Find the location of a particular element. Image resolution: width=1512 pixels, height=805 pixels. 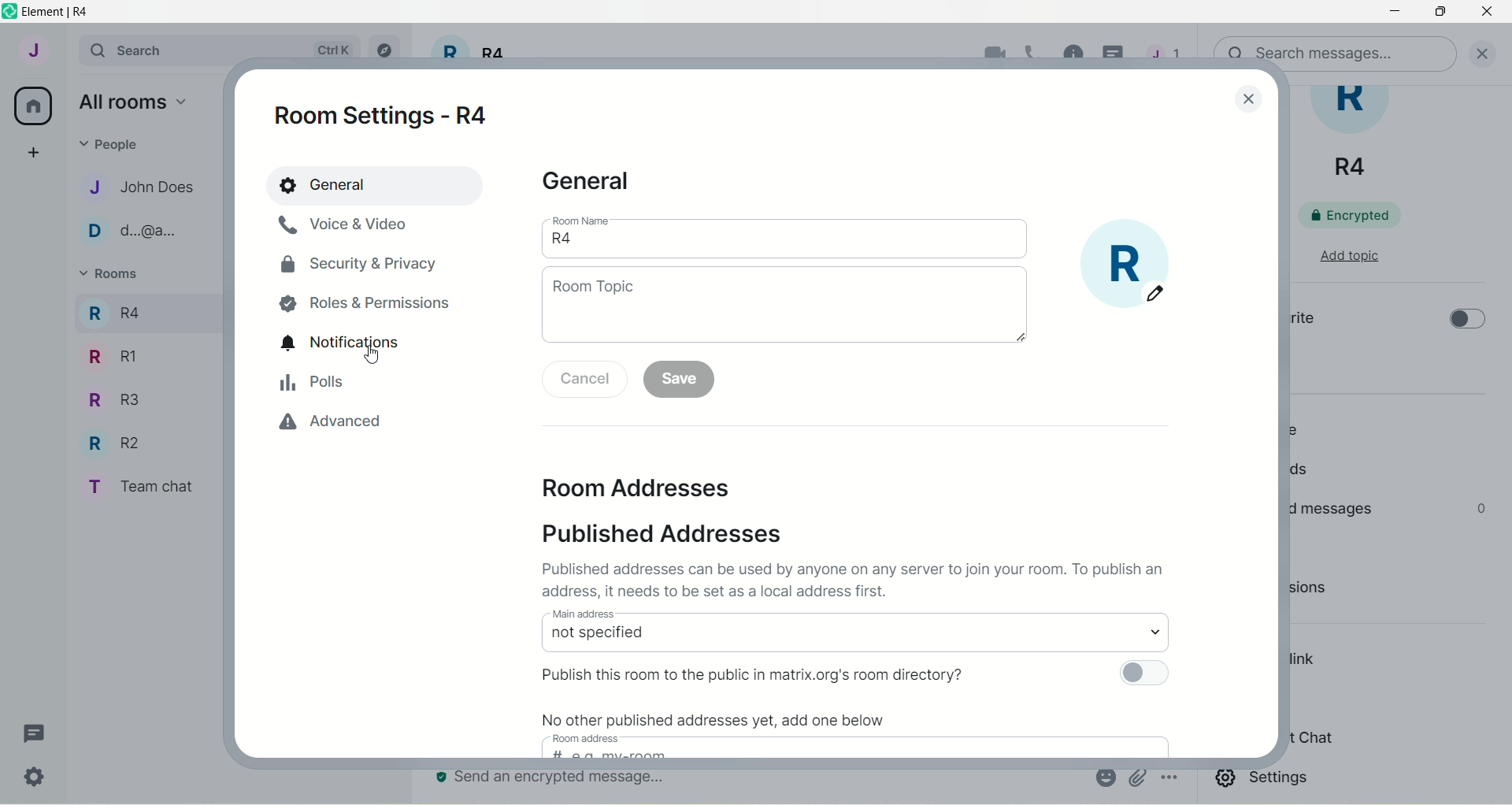

roles and permissions is located at coordinates (367, 303).